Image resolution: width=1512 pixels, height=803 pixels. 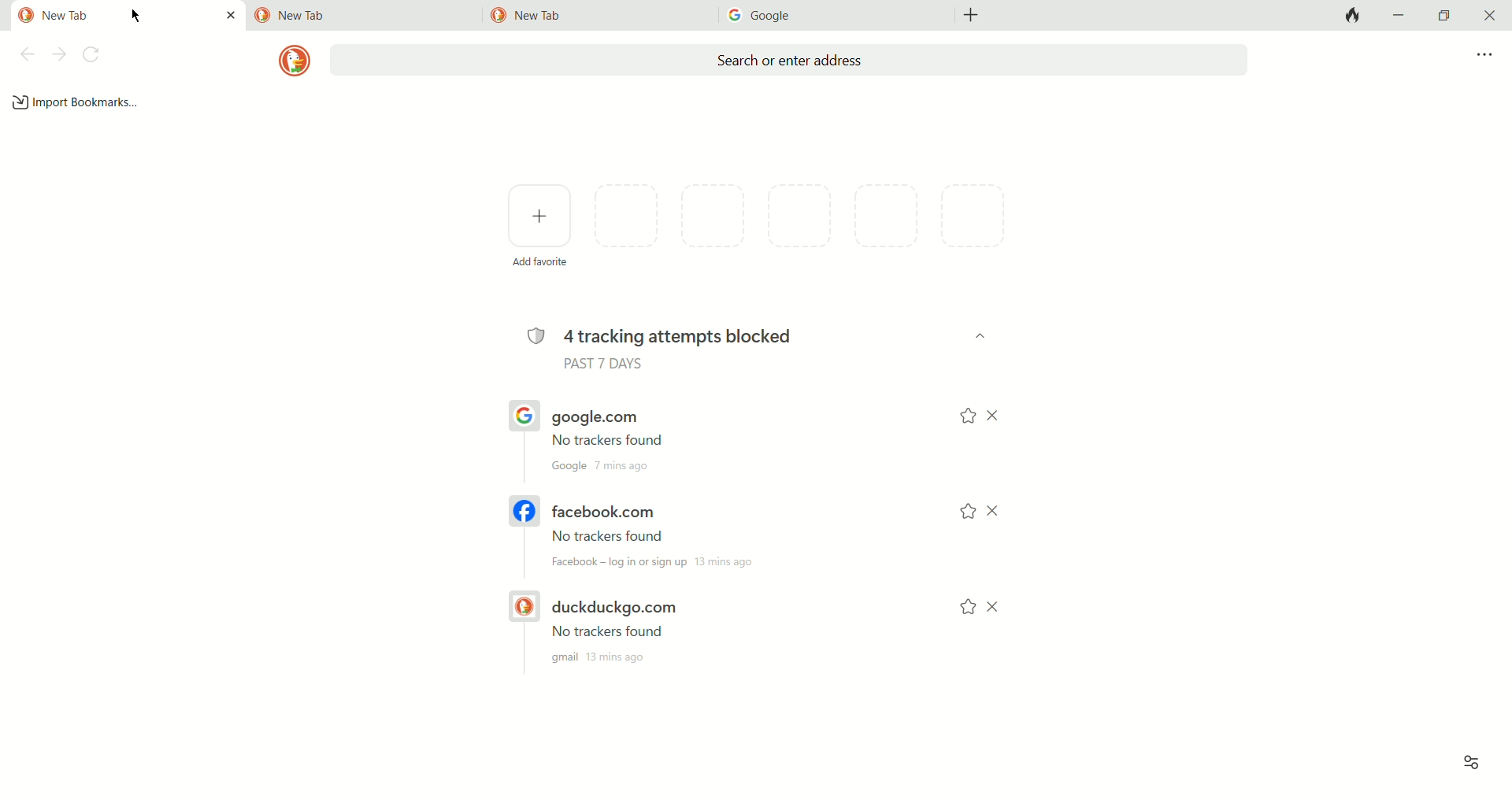 I want to click on tab1, so click(x=363, y=17).